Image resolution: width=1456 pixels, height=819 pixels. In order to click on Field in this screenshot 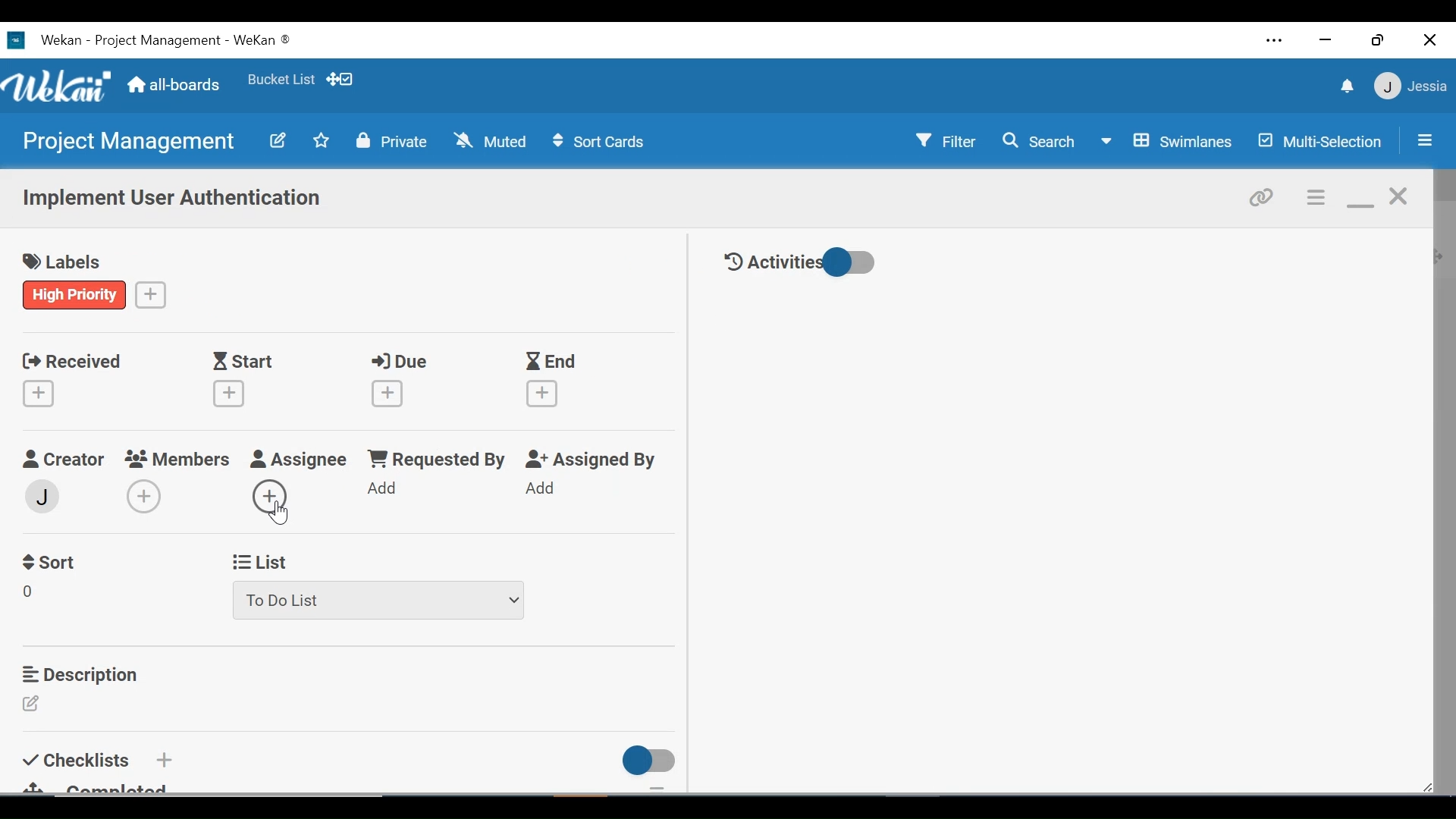, I will do `click(33, 594)`.